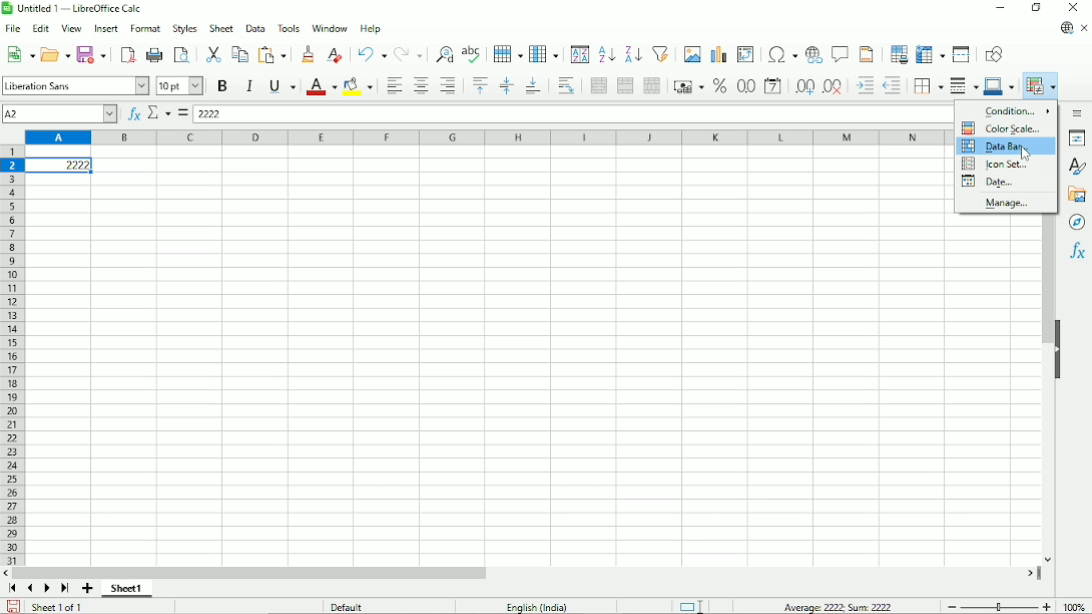 The height and width of the screenshot is (614, 1092). I want to click on Define print area, so click(898, 53).